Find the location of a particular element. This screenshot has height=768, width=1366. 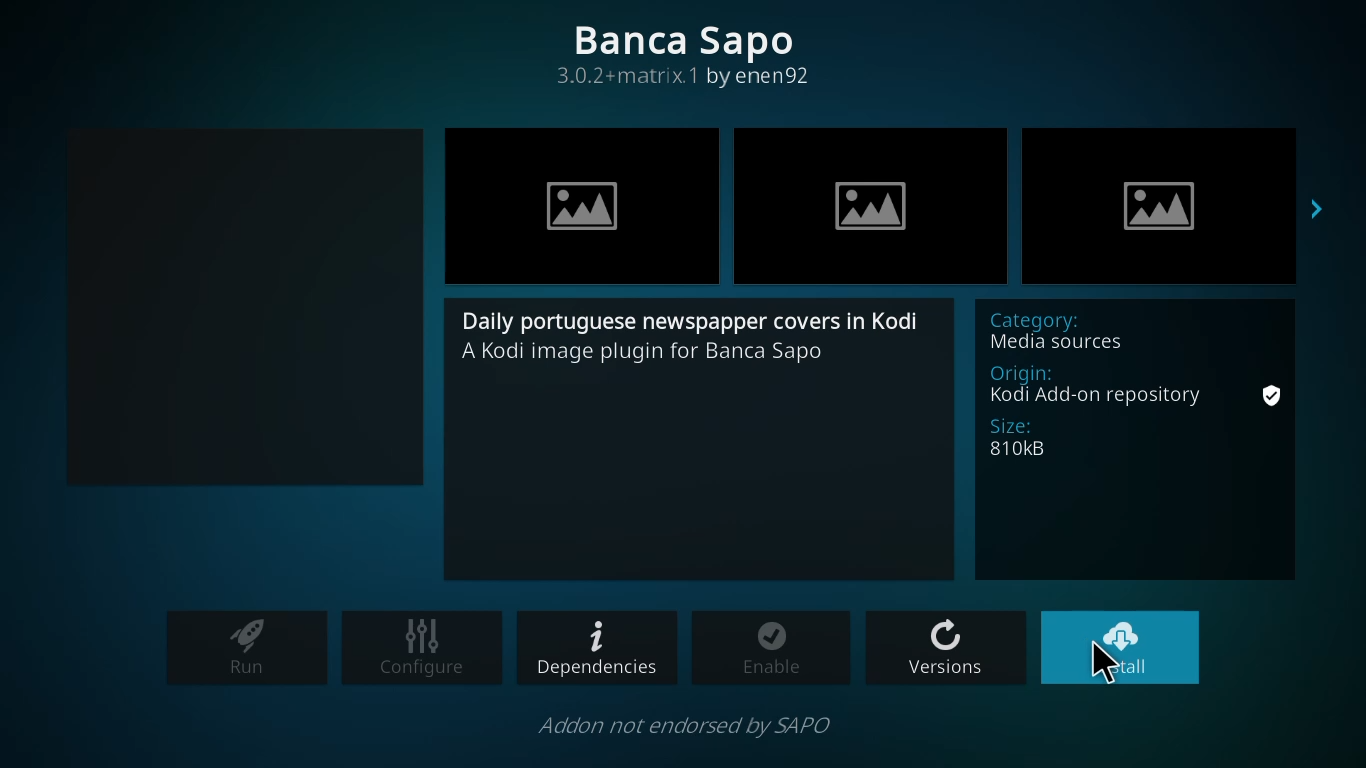

next is located at coordinates (1323, 209).